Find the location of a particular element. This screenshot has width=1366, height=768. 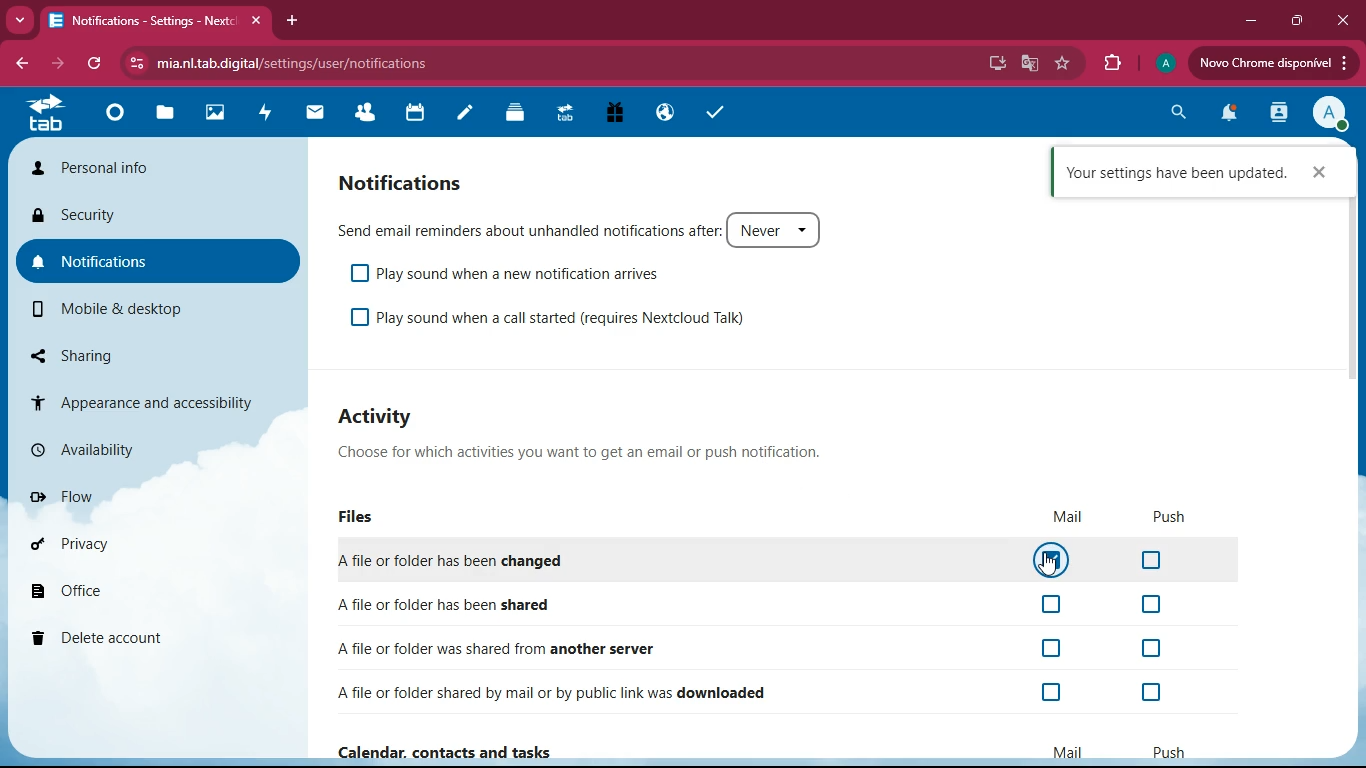

off is located at coordinates (1055, 693).